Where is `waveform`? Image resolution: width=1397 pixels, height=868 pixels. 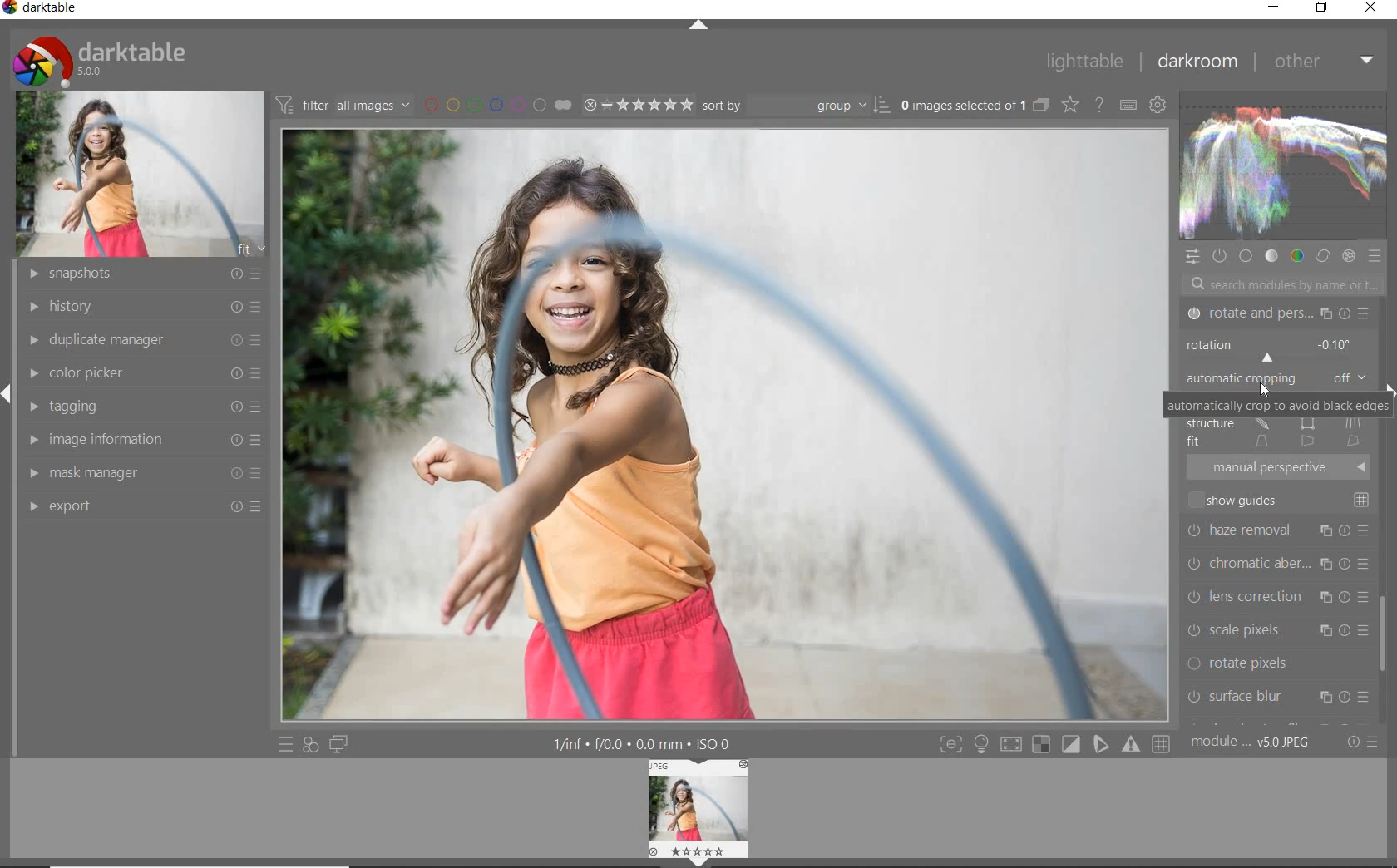 waveform is located at coordinates (1281, 165).